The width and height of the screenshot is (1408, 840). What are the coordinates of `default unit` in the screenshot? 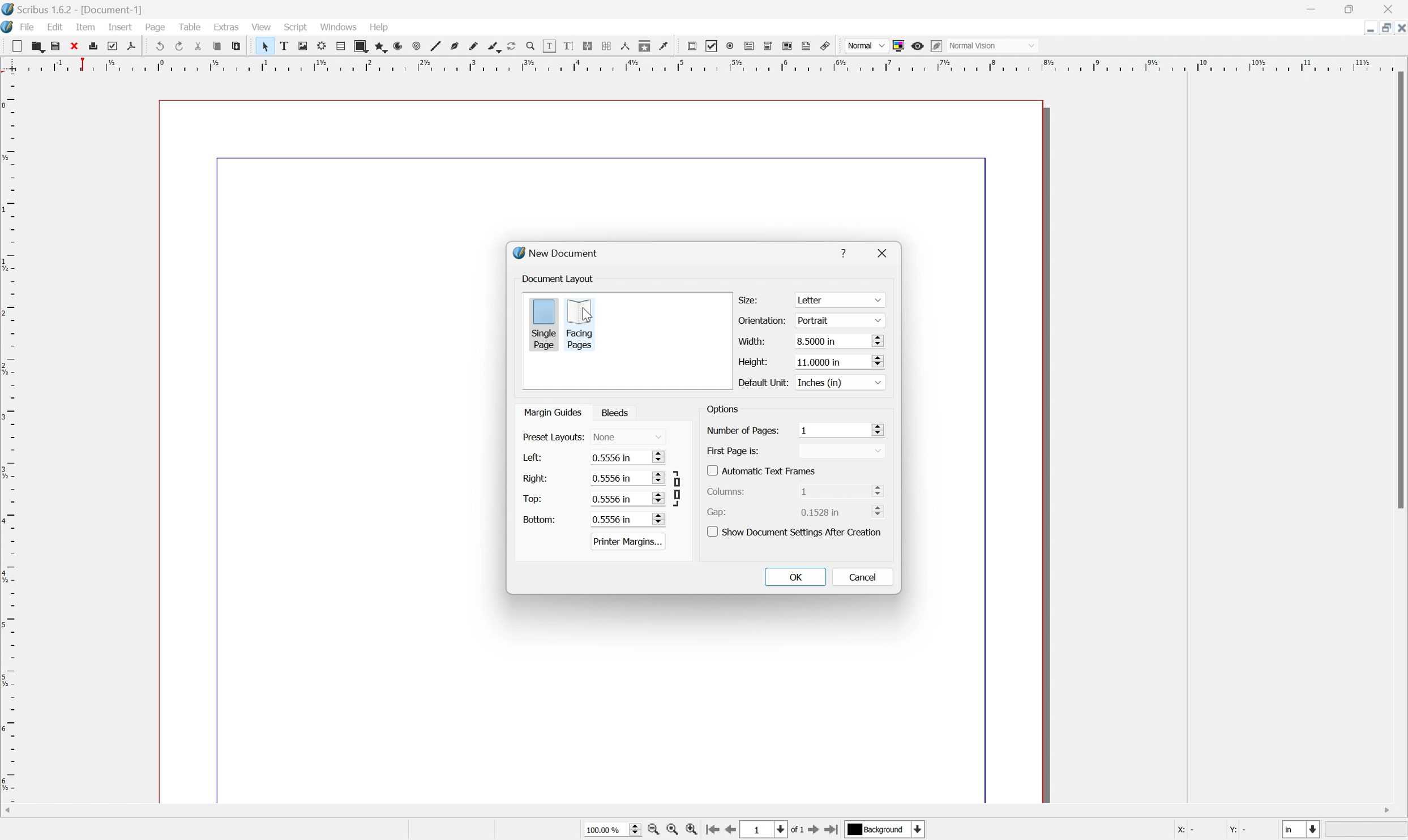 It's located at (761, 382).